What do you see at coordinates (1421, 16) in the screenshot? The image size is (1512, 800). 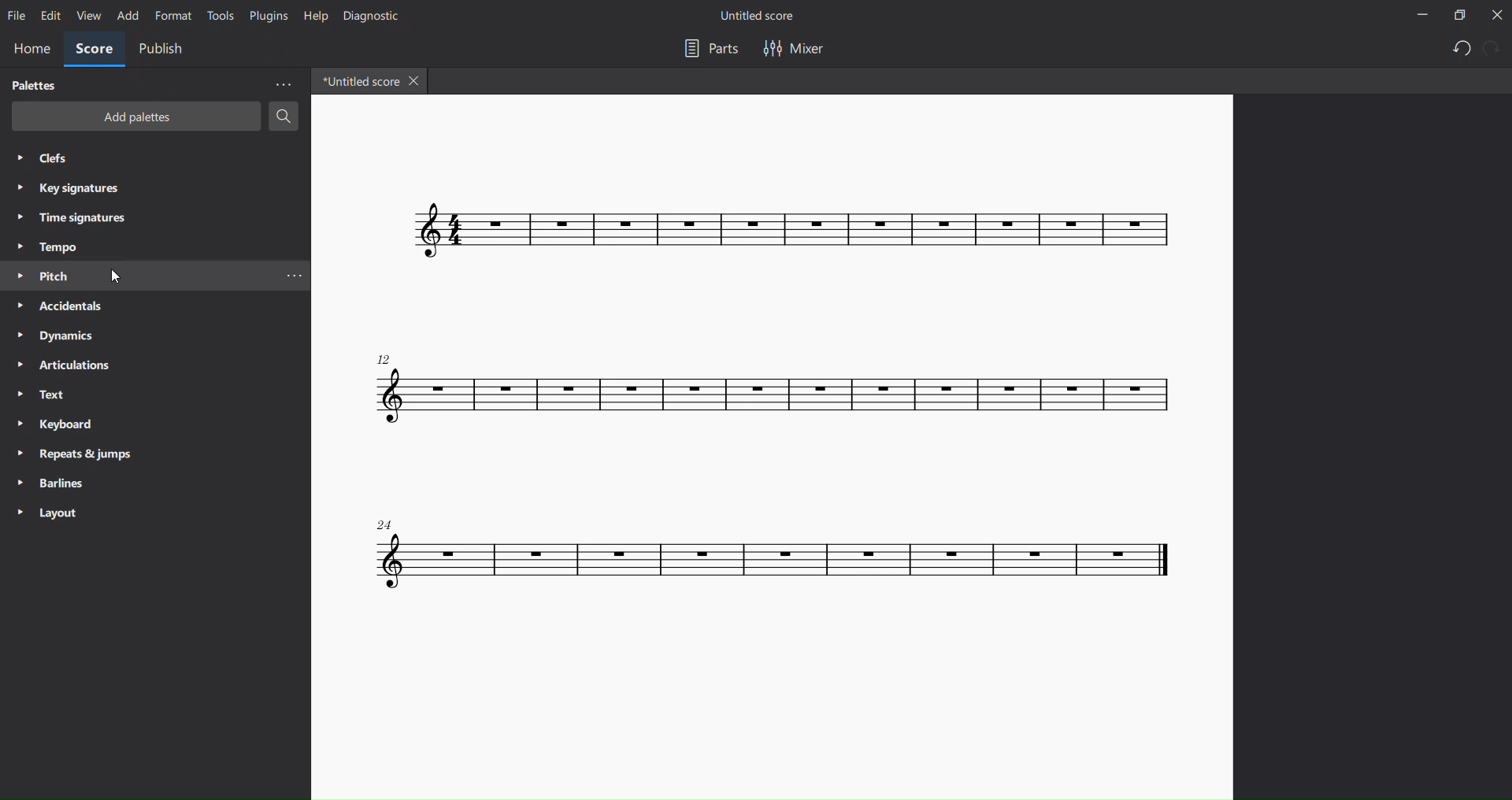 I see `minimize` at bounding box center [1421, 16].